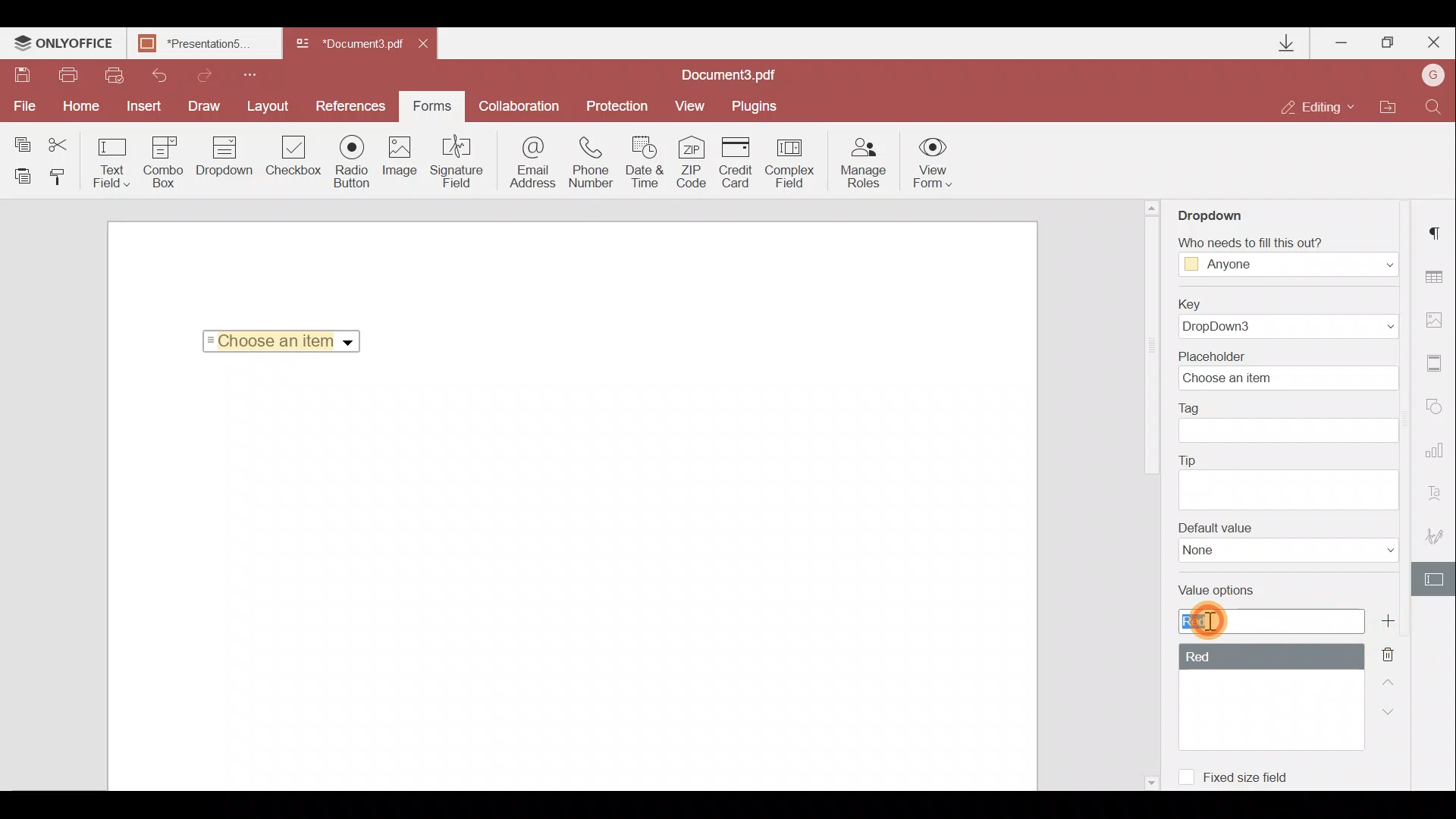 The width and height of the screenshot is (1456, 819). I want to click on Shapes settings, so click(1439, 408).